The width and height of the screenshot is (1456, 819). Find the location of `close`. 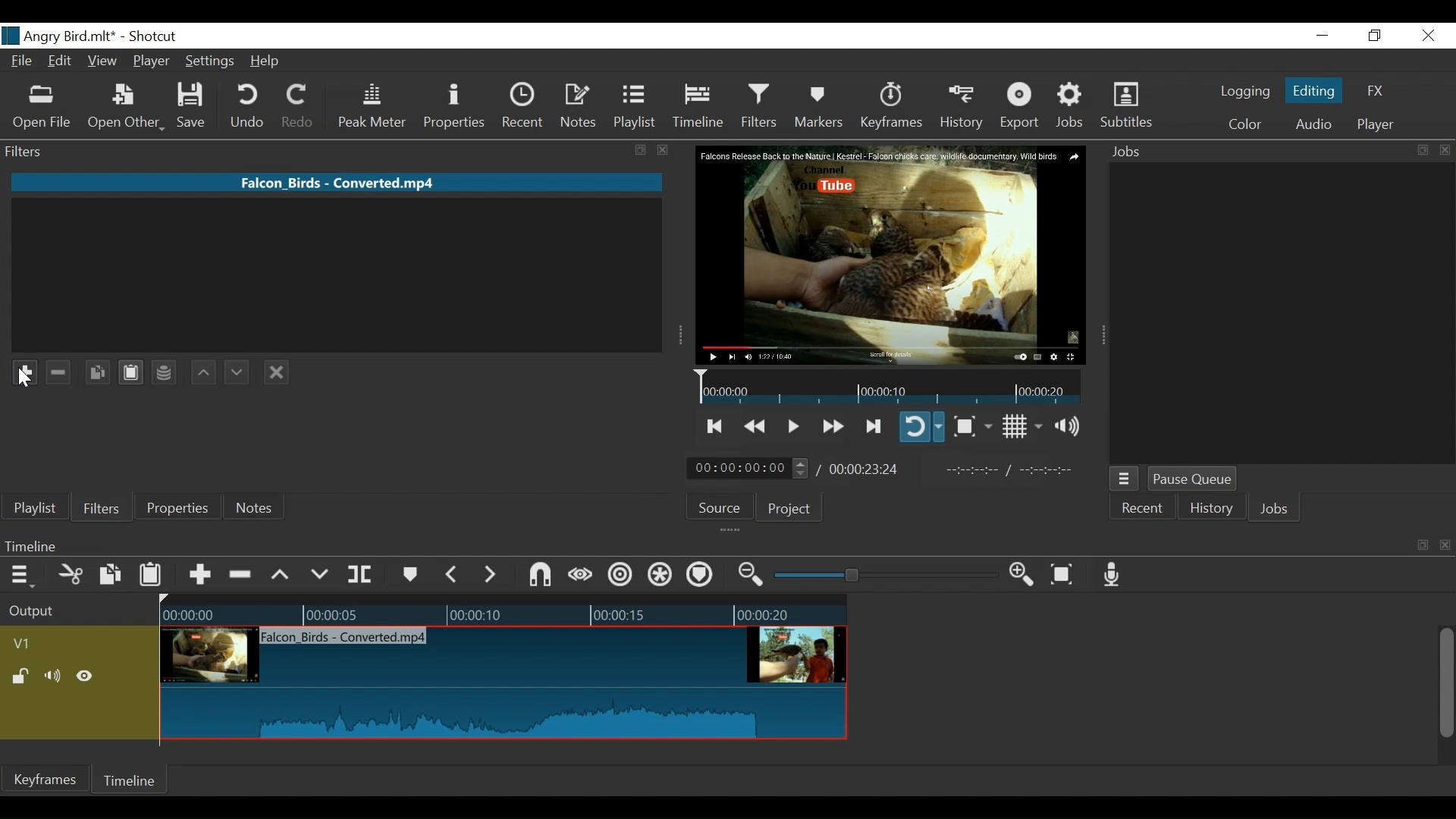

close is located at coordinates (1447, 546).